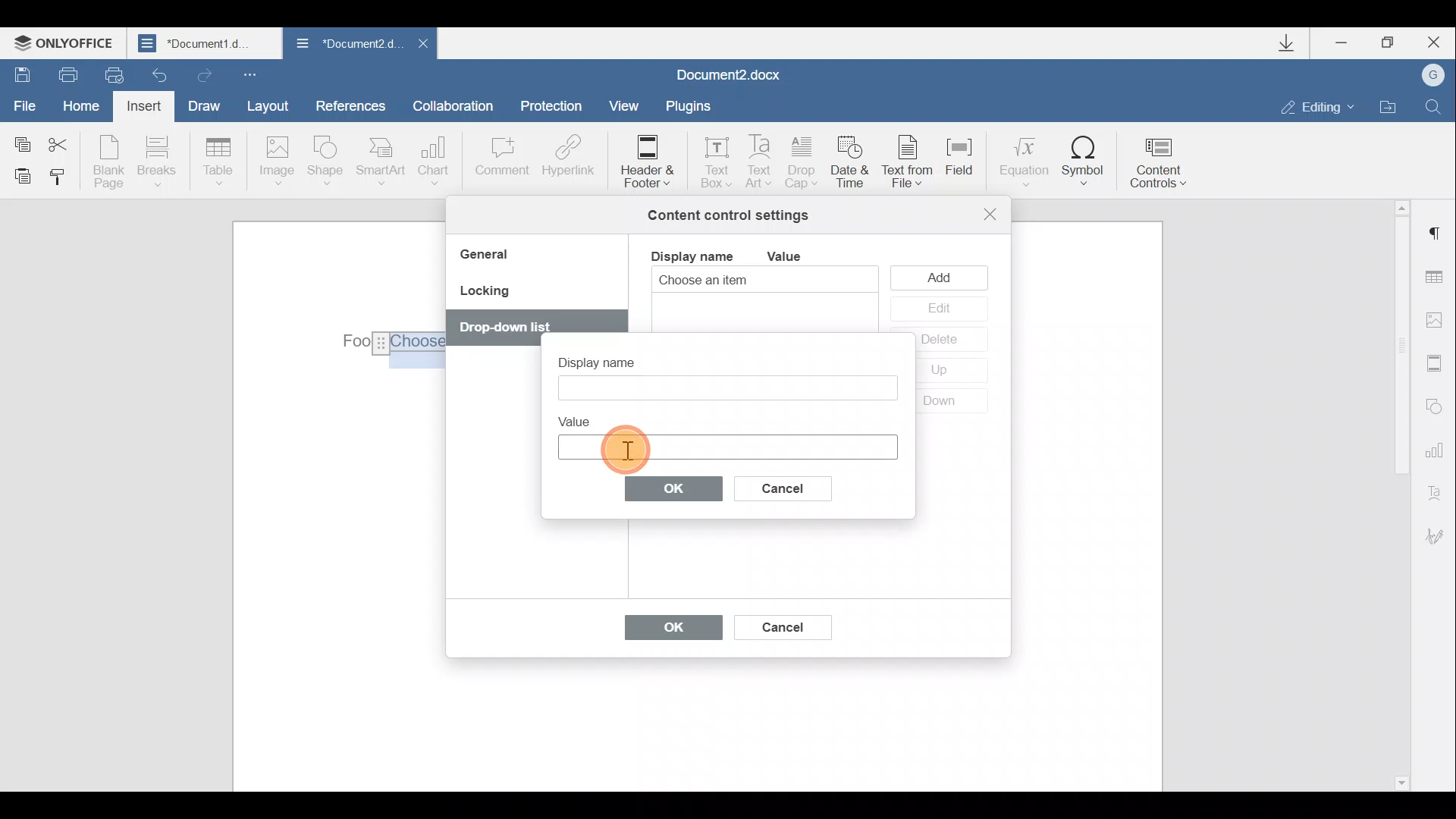  I want to click on Redo, so click(202, 72).